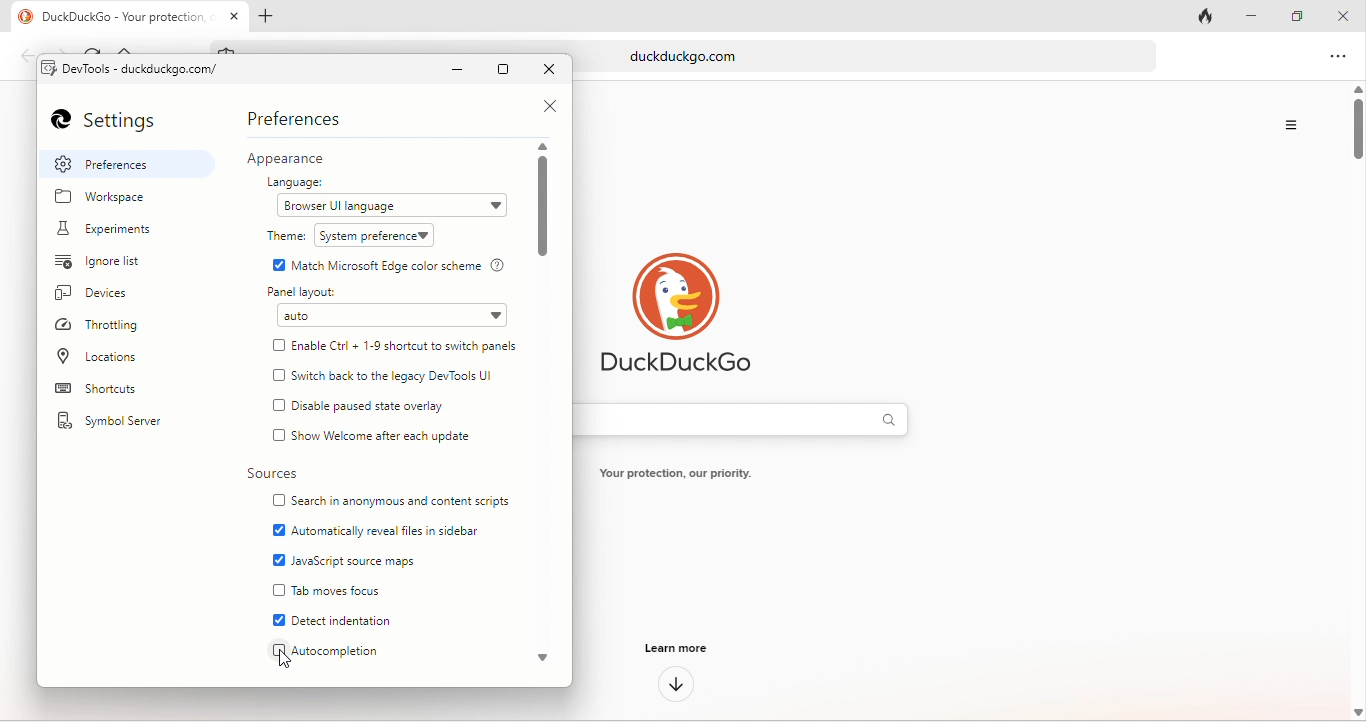 Image resolution: width=1366 pixels, height=722 pixels. What do you see at coordinates (404, 377) in the screenshot?
I see `switch back to the legacy dev tools ui` at bounding box center [404, 377].